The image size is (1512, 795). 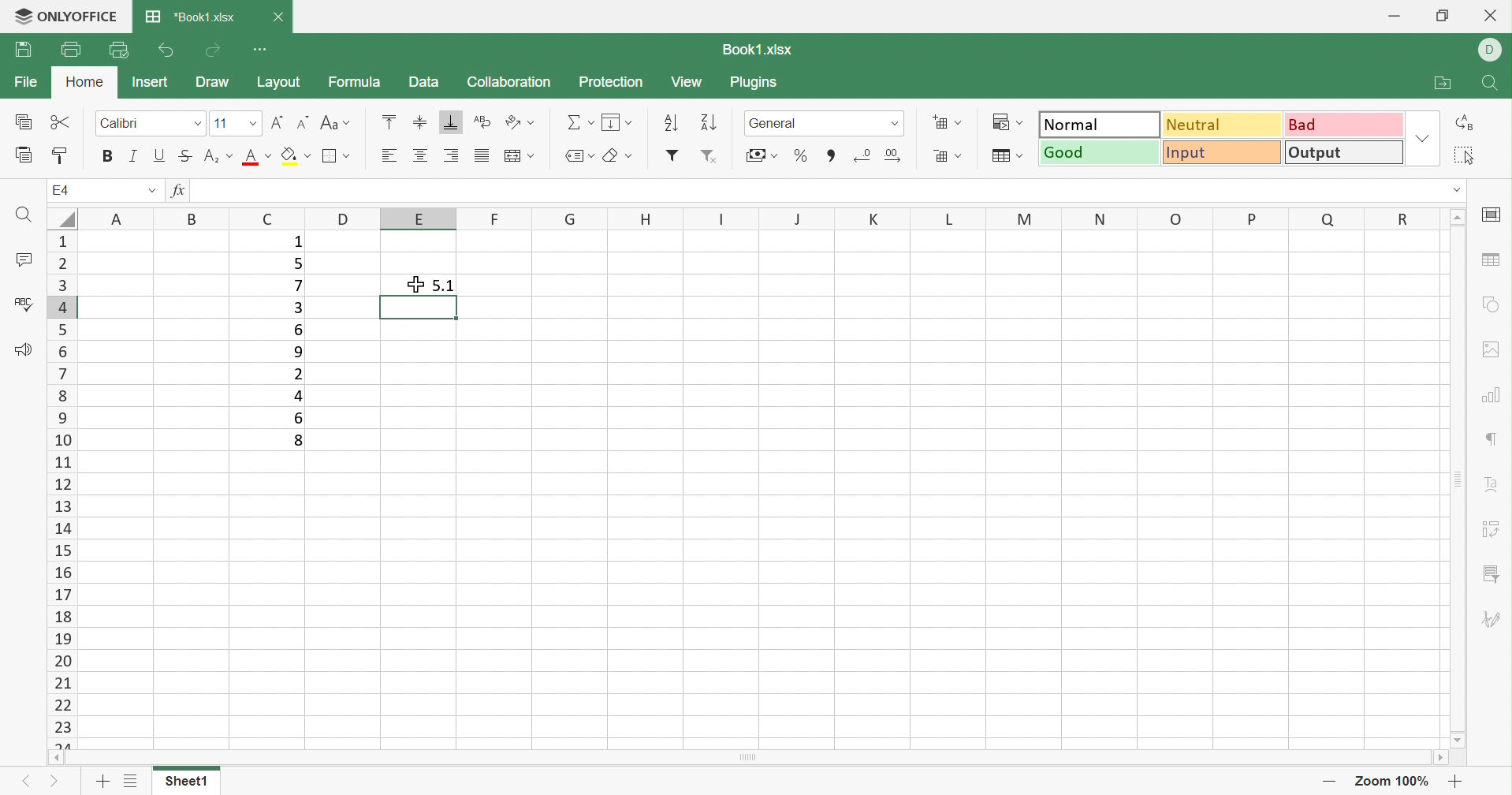 What do you see at coordinates (132, 782) in the screenshot?
I see `List of sheets` at bounding box center [132, 782].